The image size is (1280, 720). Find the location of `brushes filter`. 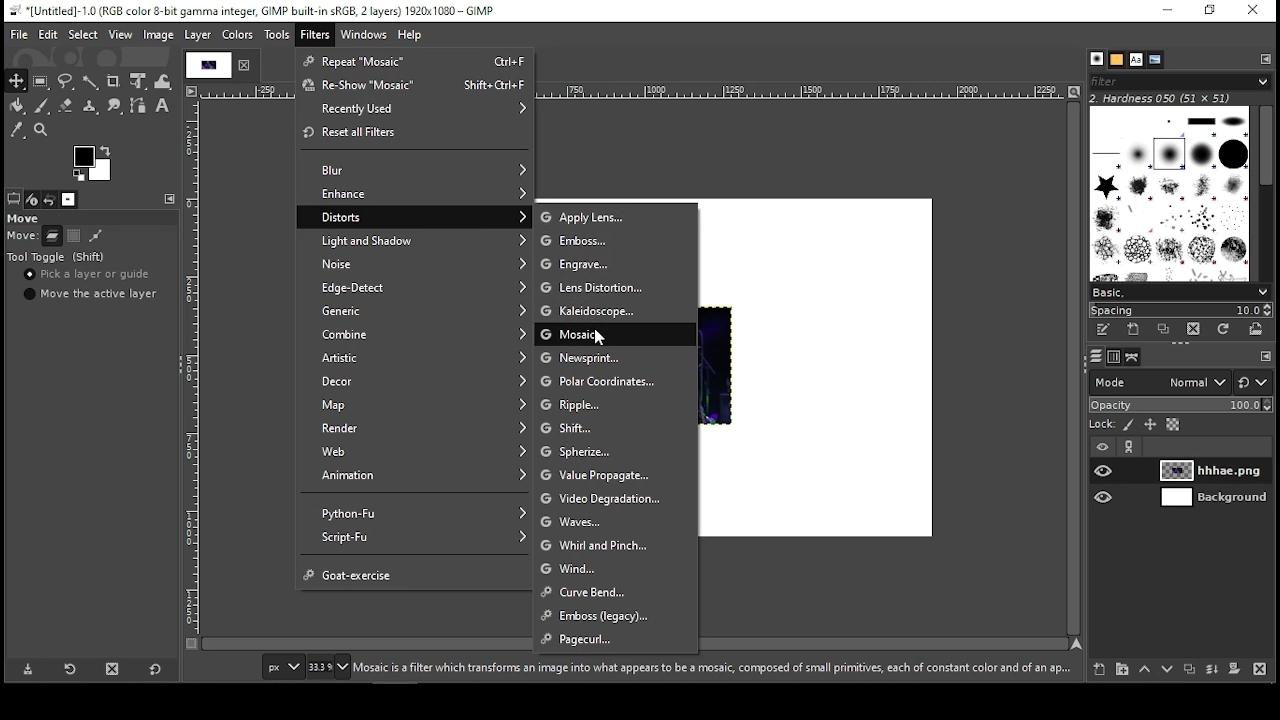

brushes filter is located at coordinates (1180, 81).